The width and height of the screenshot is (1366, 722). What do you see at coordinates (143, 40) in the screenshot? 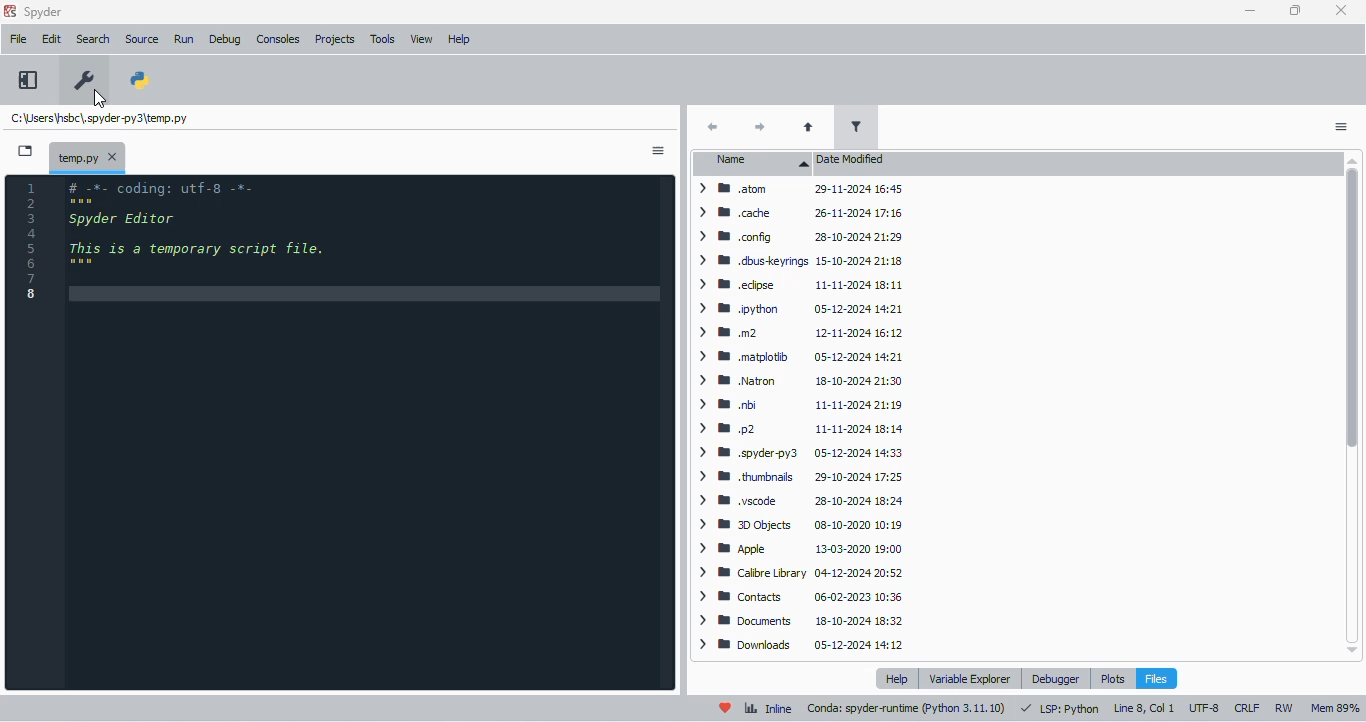
I see `source` at bounding box center [143, 40].